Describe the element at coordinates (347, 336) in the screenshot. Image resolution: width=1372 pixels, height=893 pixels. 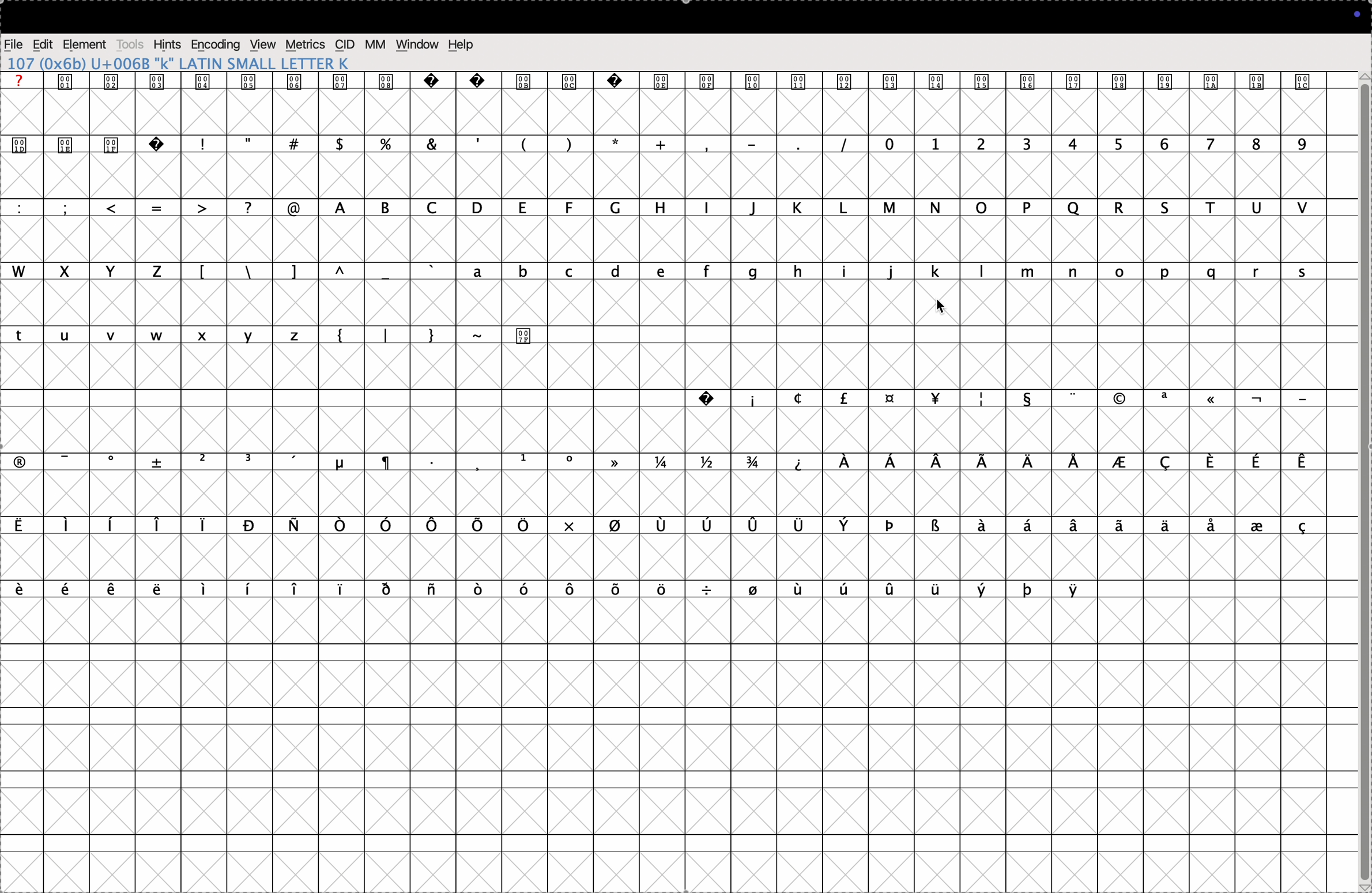
I see `{` at that location.